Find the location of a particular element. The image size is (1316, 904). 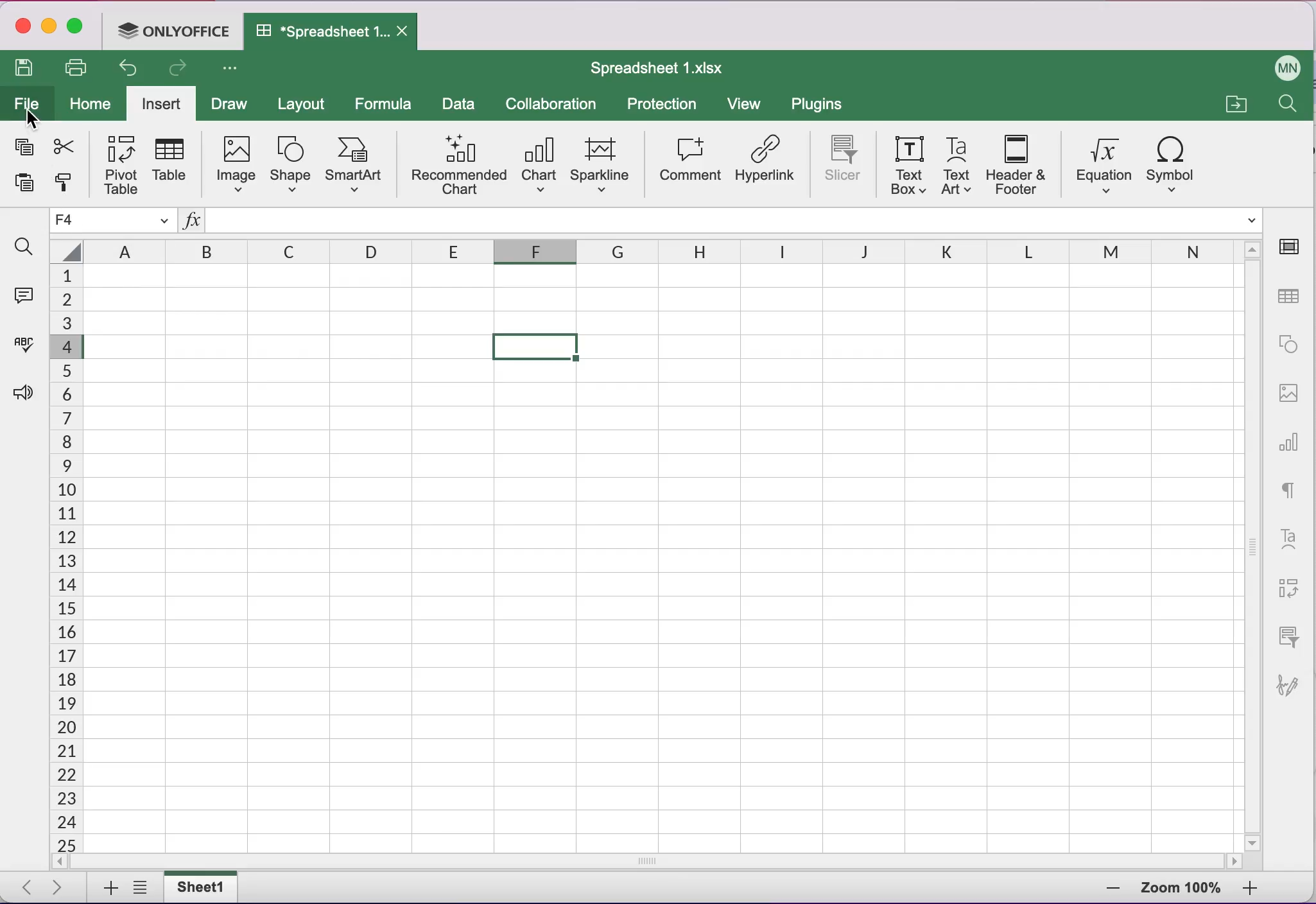

onlyoffice is located at coordinates (171, 33).